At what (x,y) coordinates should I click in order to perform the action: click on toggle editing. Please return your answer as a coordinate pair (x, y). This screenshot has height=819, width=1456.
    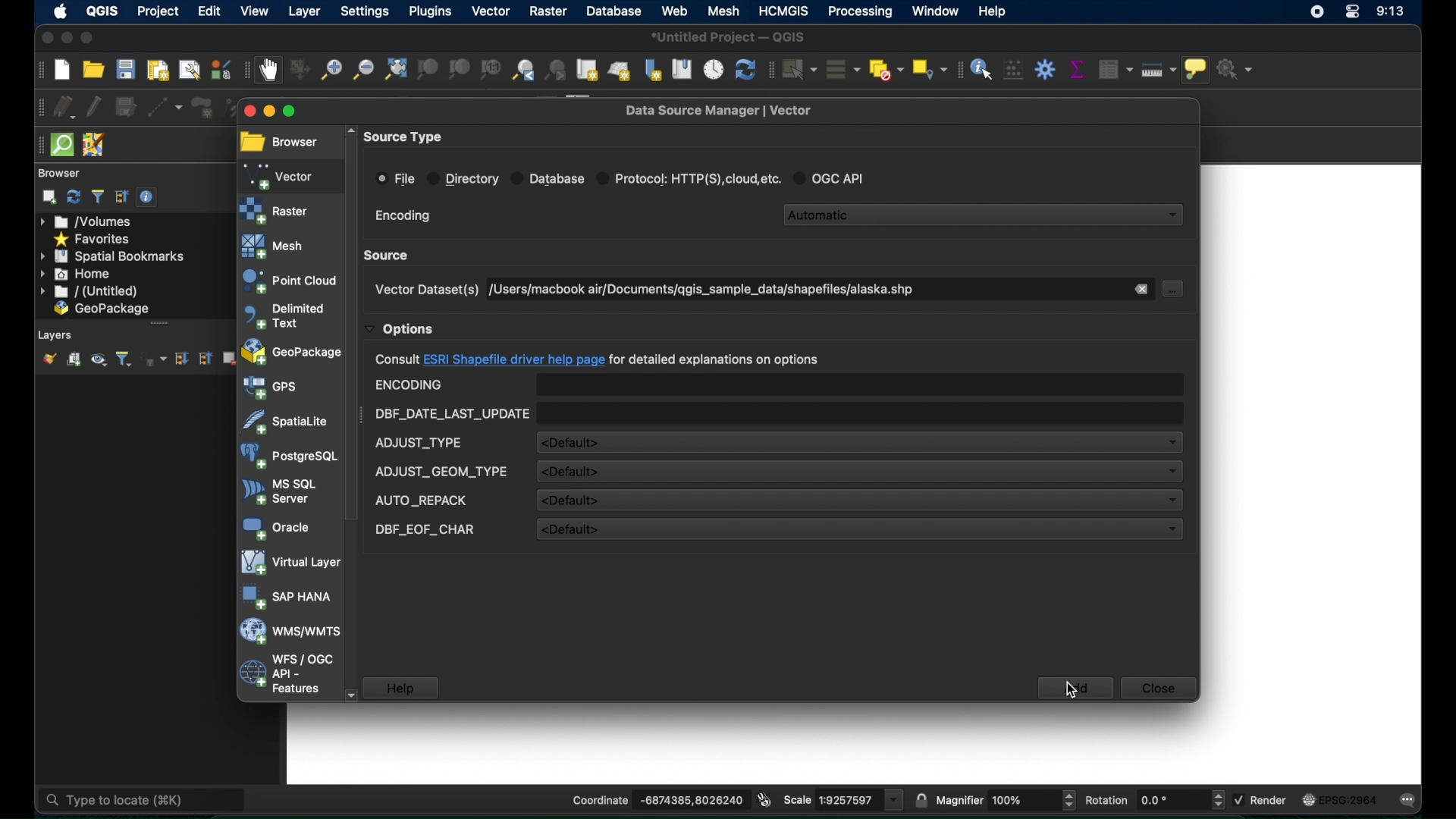
    Looking at the image, I should click on (93, 105).